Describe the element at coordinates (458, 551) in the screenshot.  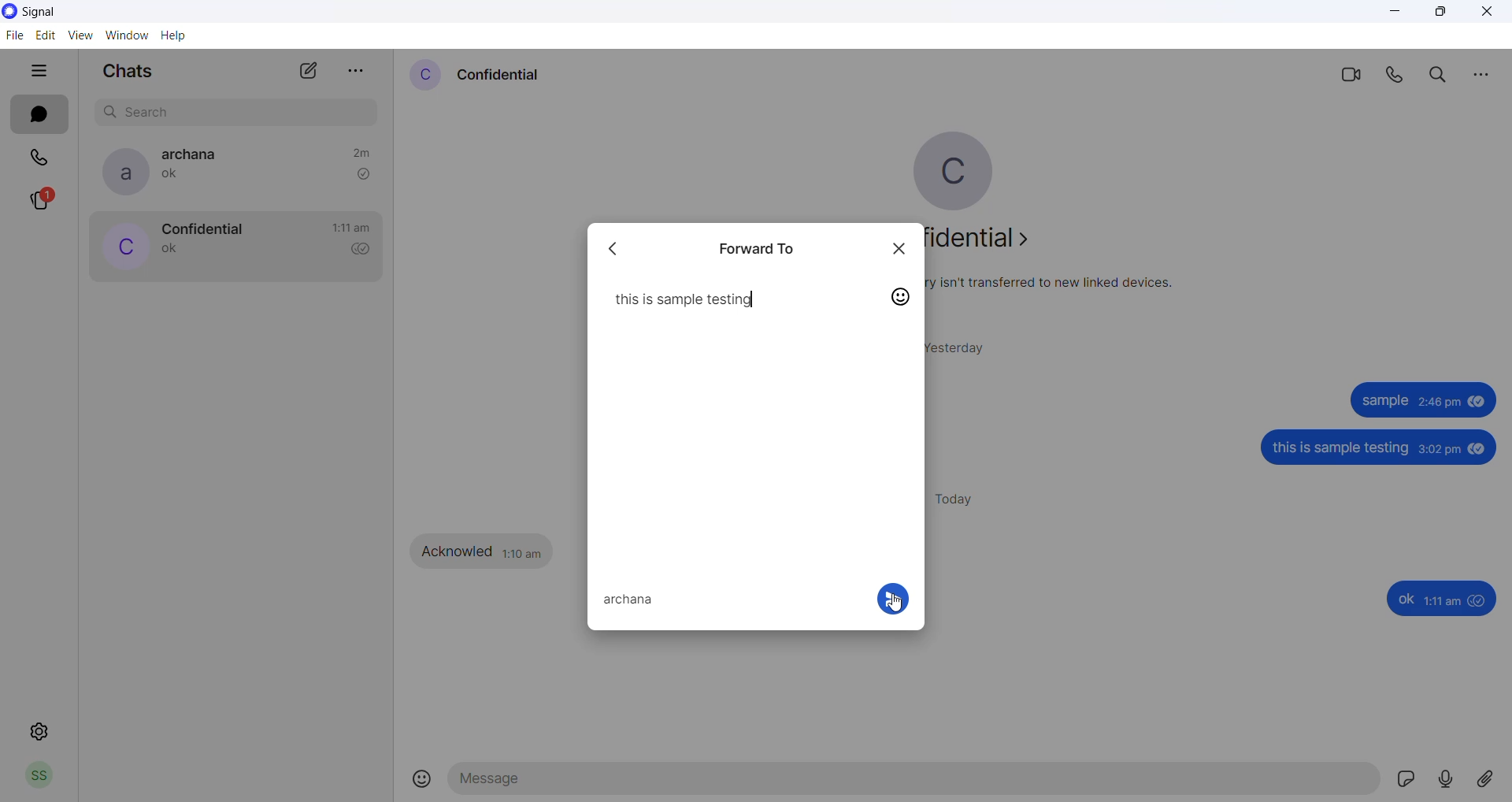
I see `Acknowled` at that location.